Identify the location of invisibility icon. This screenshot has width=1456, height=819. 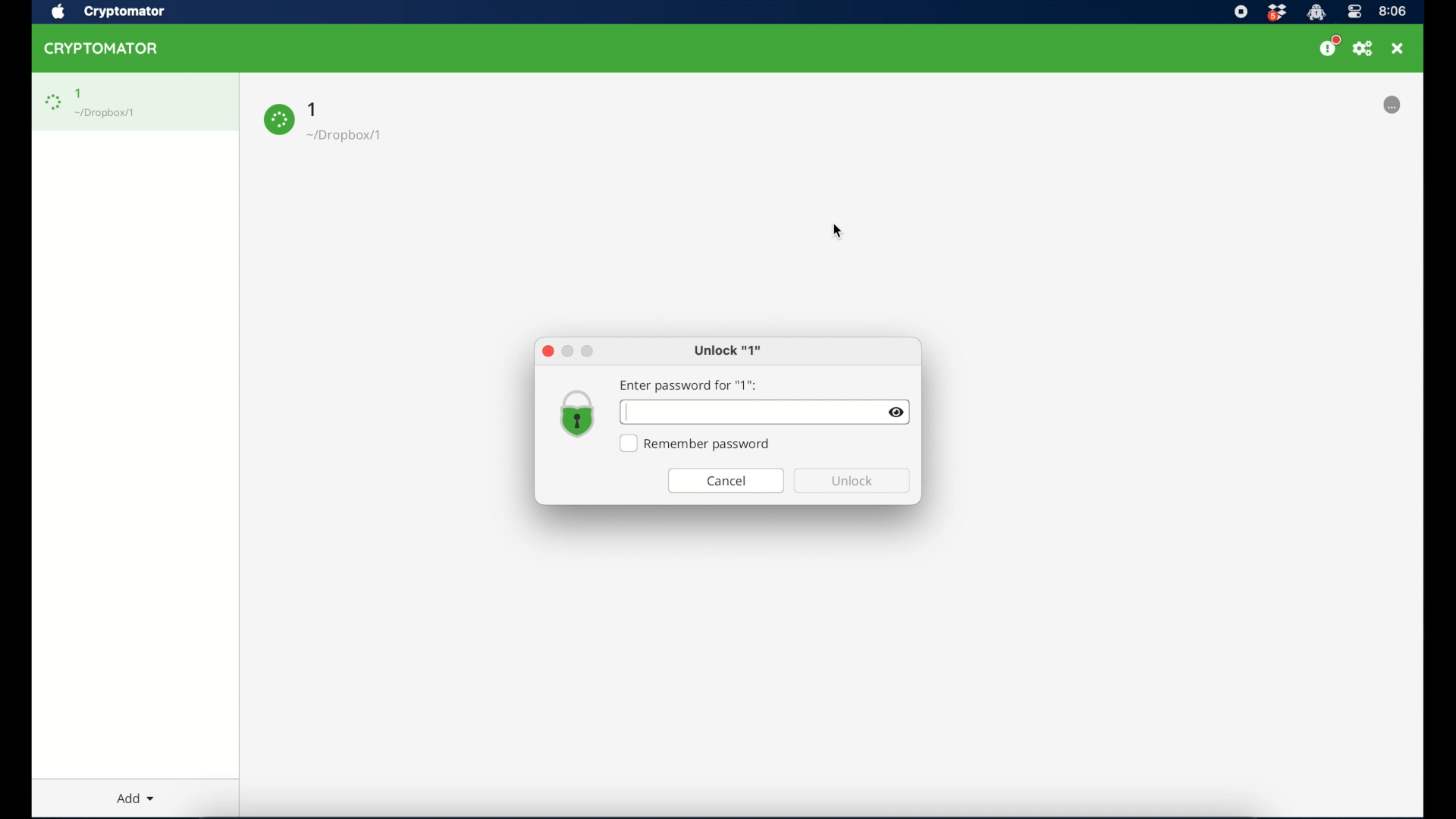
(897, 413).